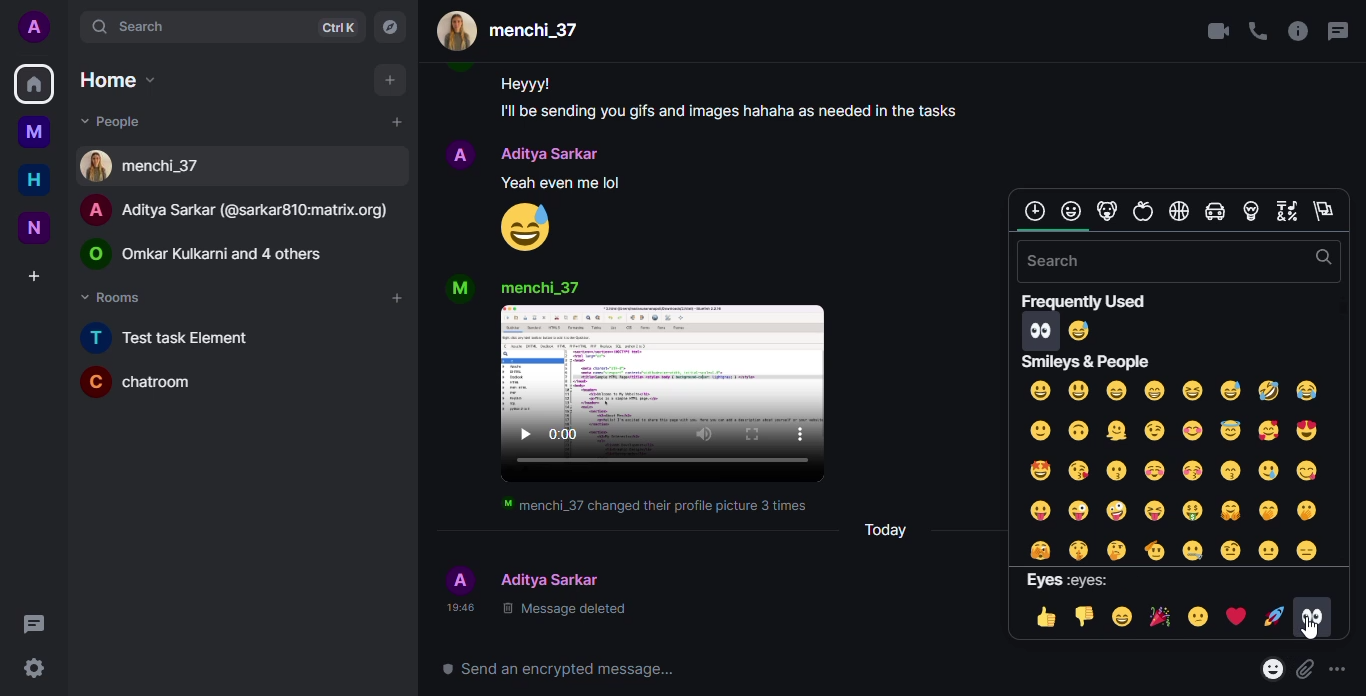 Image resolution: width=1366 pixels, height=696 pixels. Describe the element at coordinates (1296, 32) in the screenshot. I see `info` at that location.